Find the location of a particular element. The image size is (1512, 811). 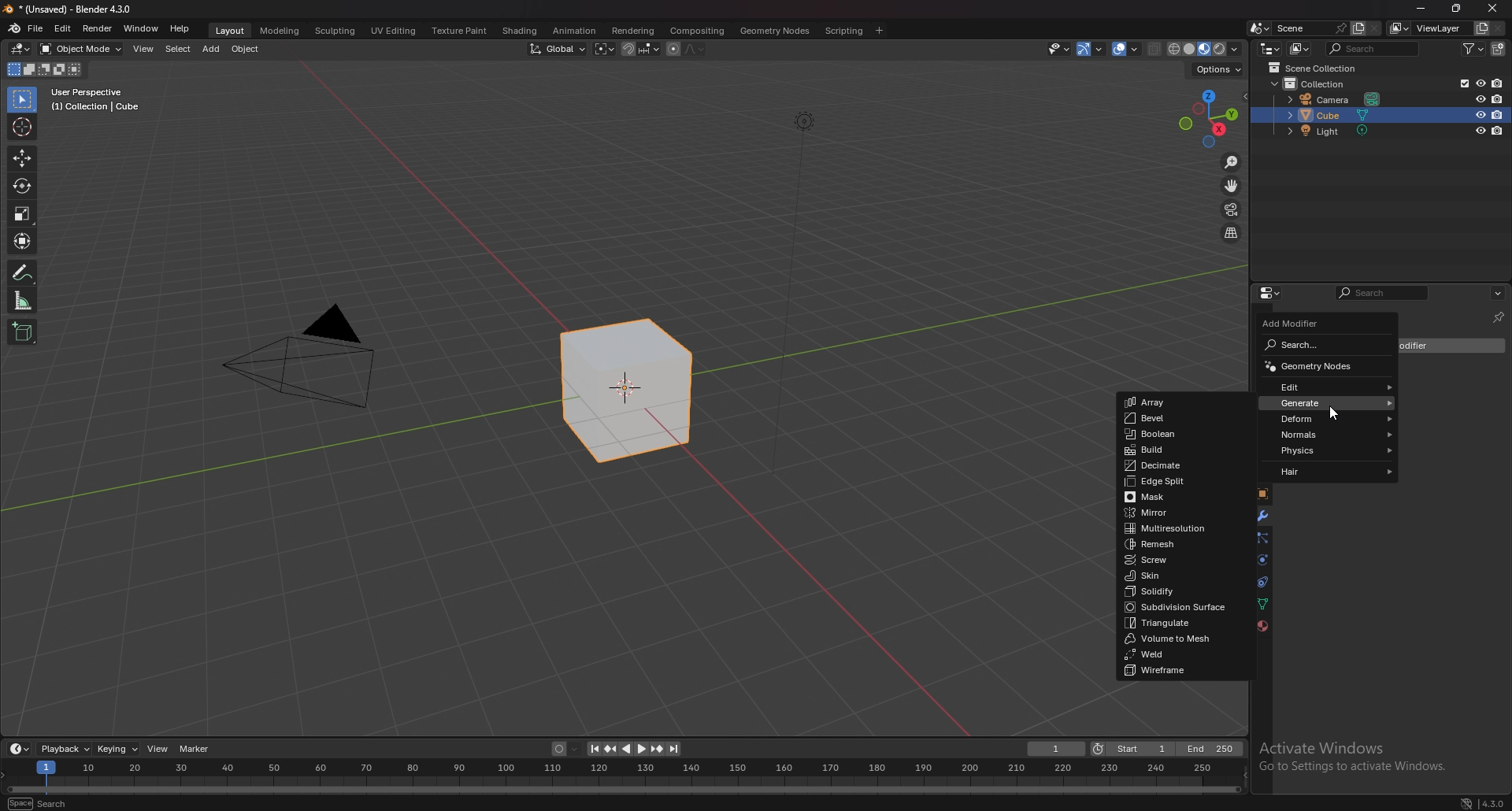

data is located at coordinates (1261, 604).